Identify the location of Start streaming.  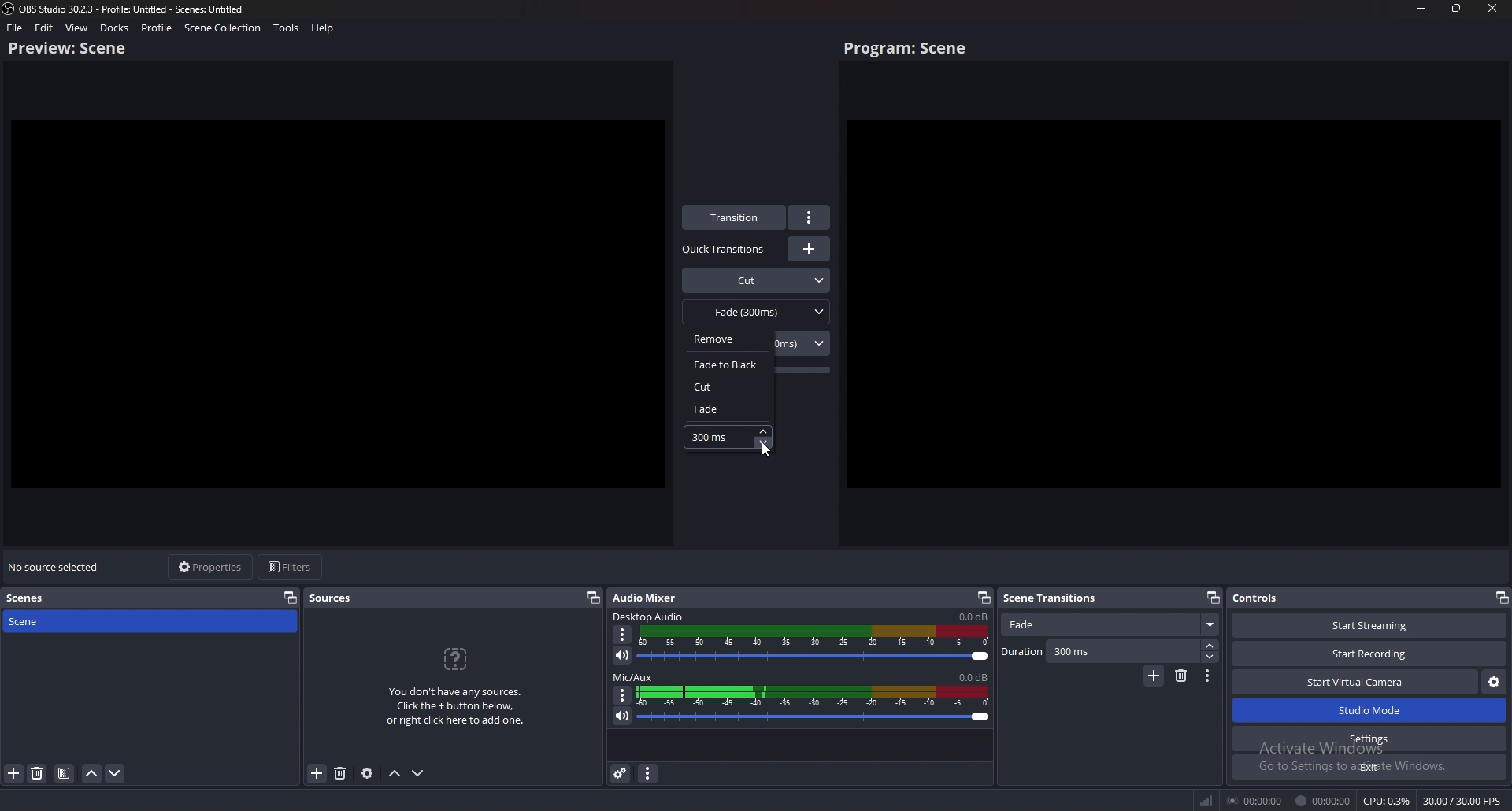
(1366, 624).